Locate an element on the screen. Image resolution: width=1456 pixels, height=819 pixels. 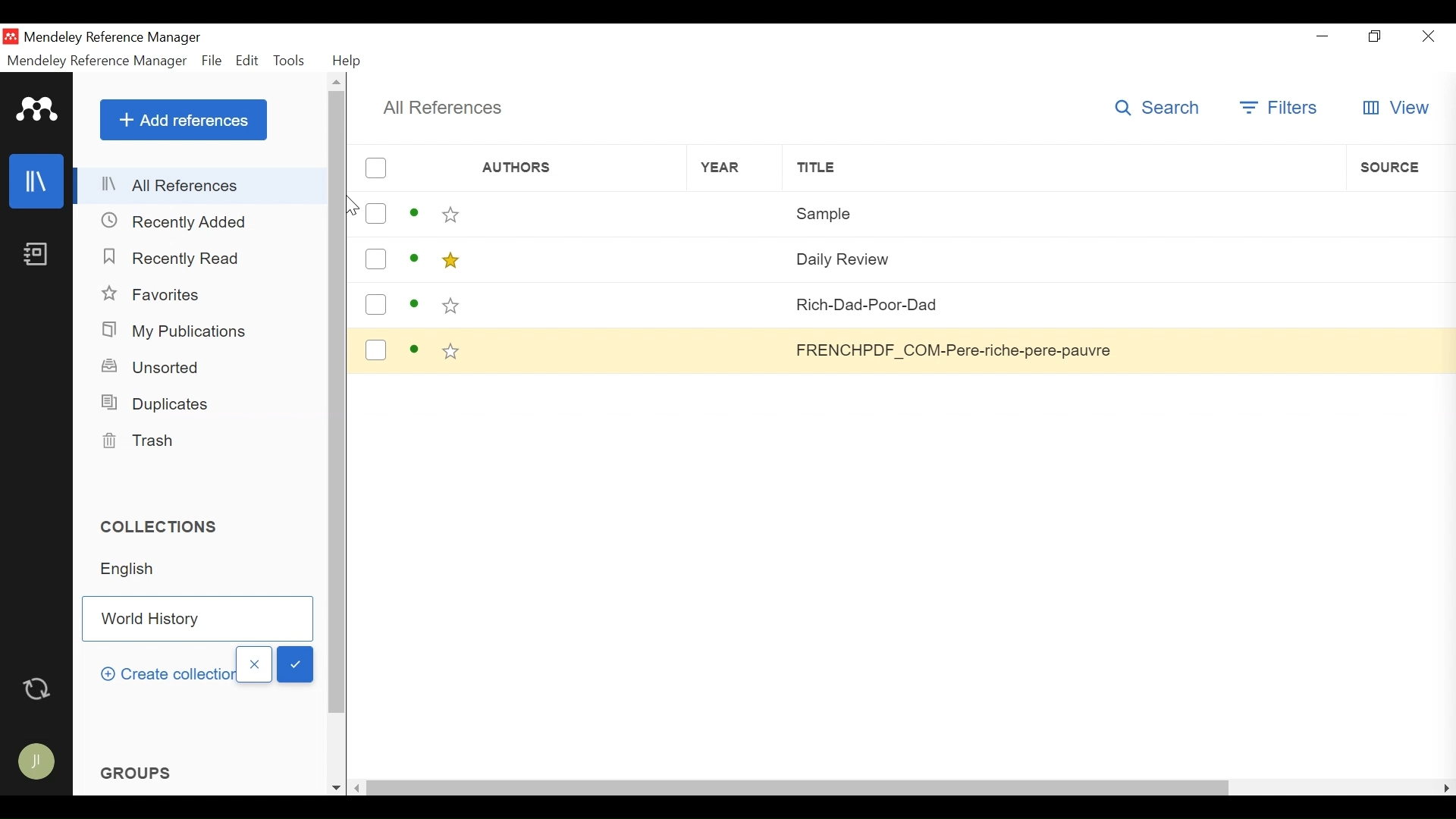
Collections is located at coordinates (166, 526).